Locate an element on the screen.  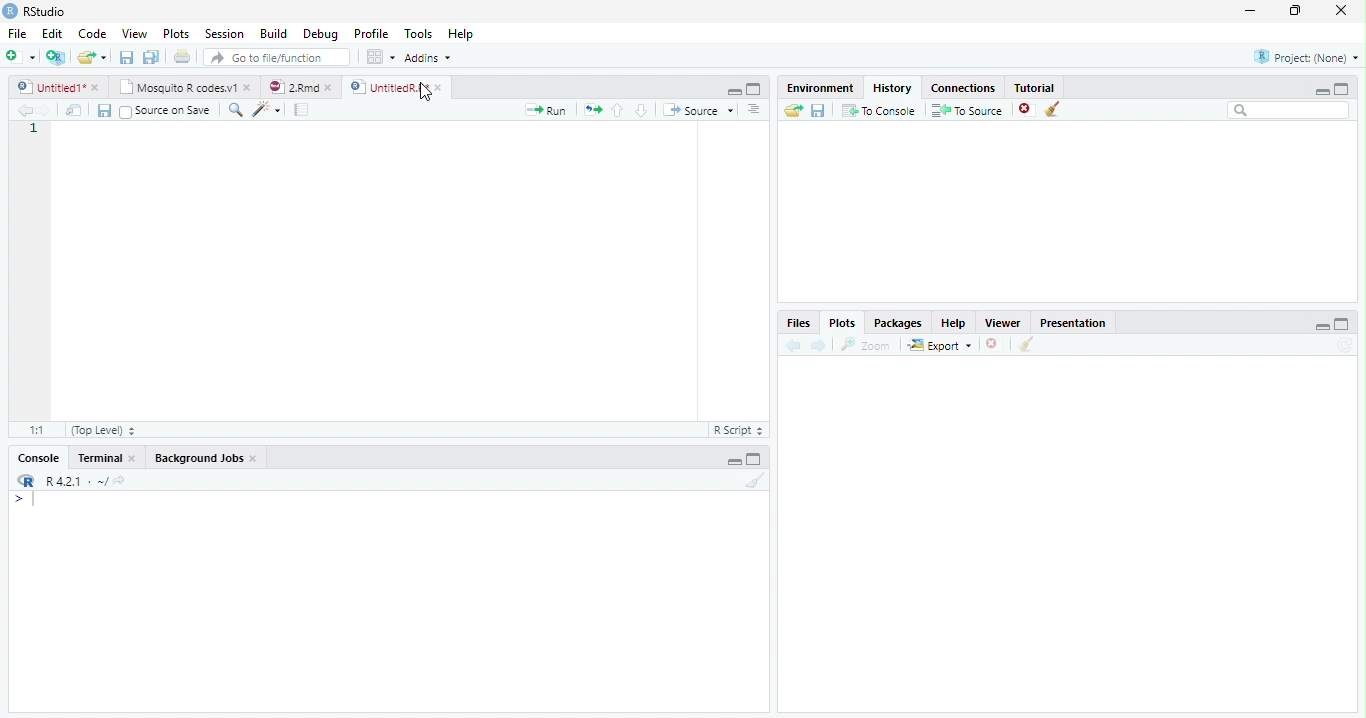
2Rmd is located at coordinates (299, 85).